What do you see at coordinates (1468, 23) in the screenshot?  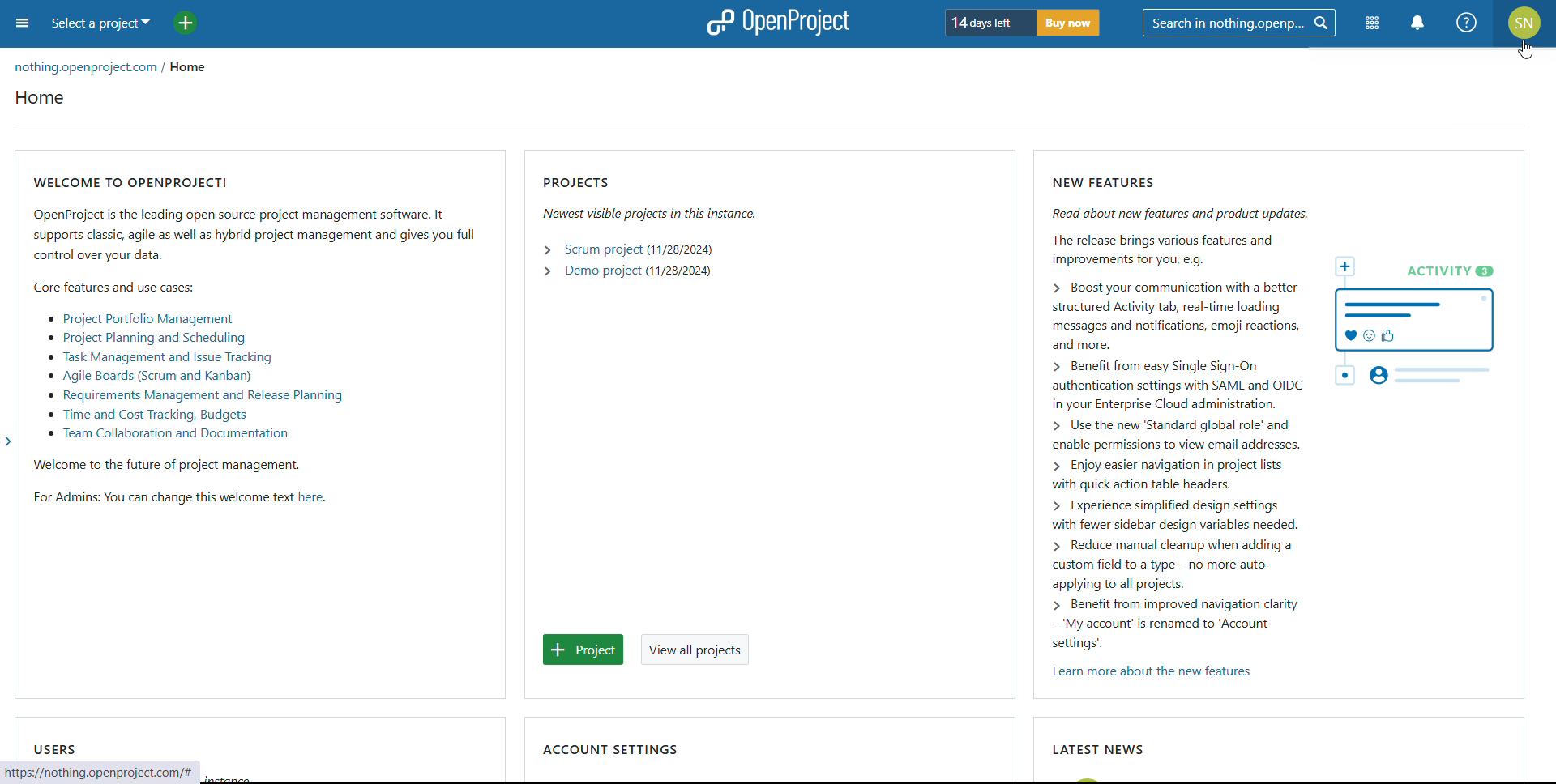 I see `help` at bounding box center [1468, 23].